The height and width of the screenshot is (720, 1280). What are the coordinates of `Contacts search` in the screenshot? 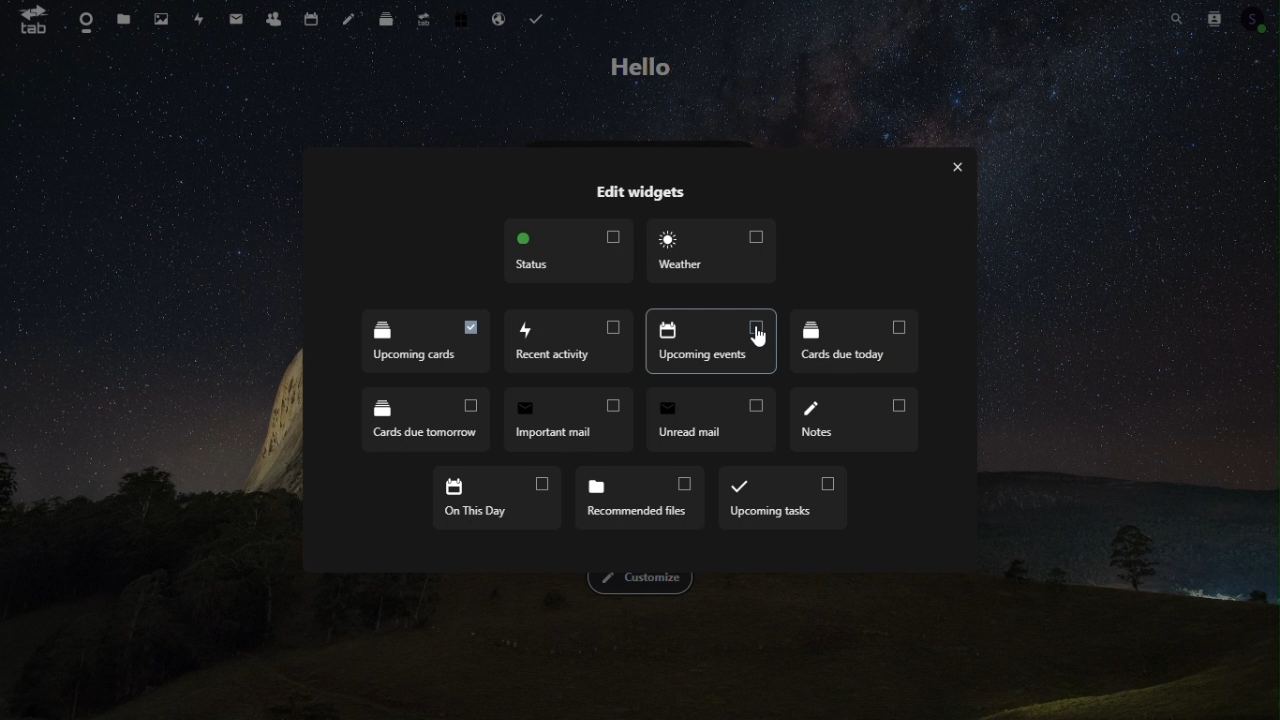 It's located at (1212, 18).